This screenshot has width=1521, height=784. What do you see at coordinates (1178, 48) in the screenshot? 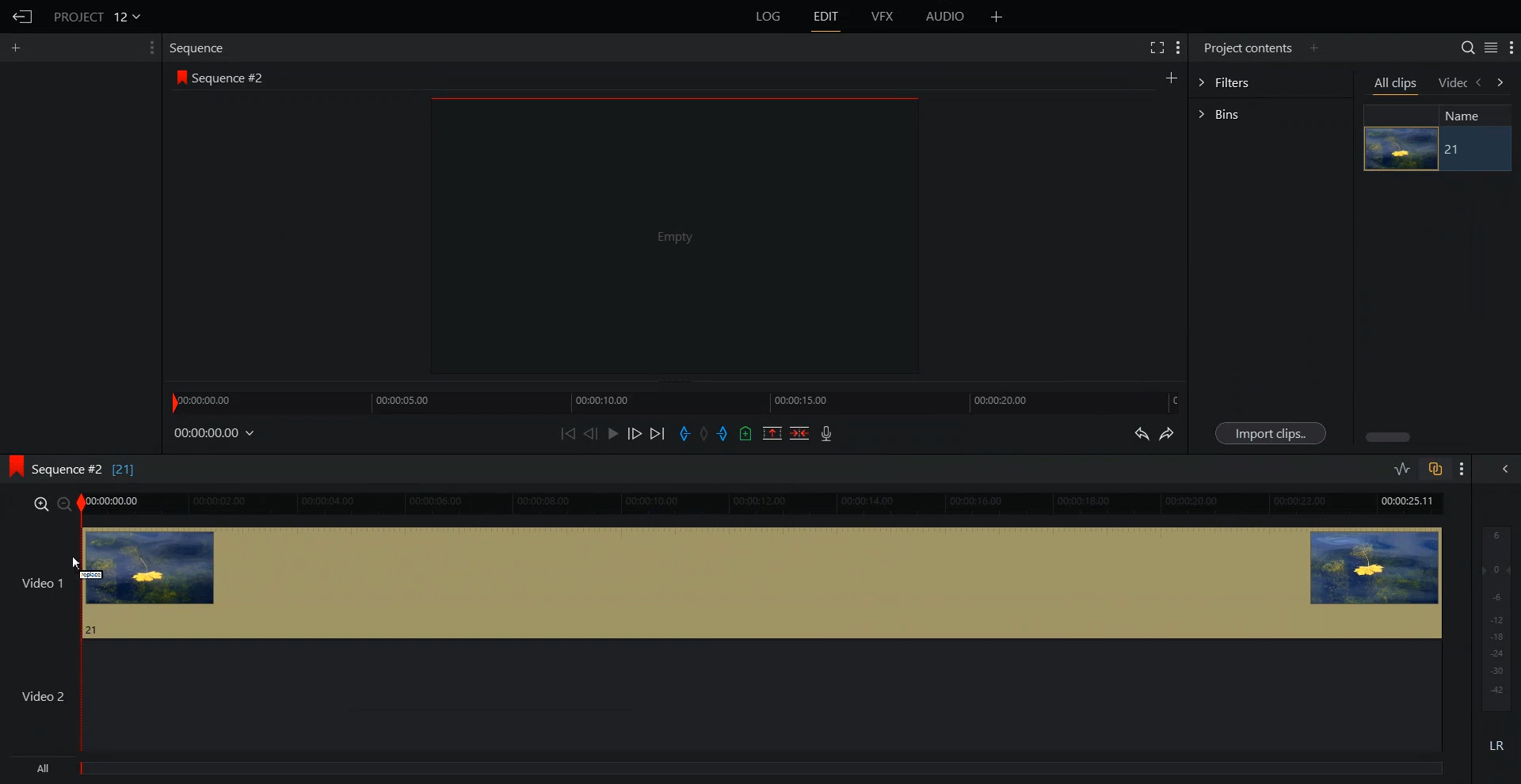
I see `Show Setting Menu` at bounding box center [1178, 48].